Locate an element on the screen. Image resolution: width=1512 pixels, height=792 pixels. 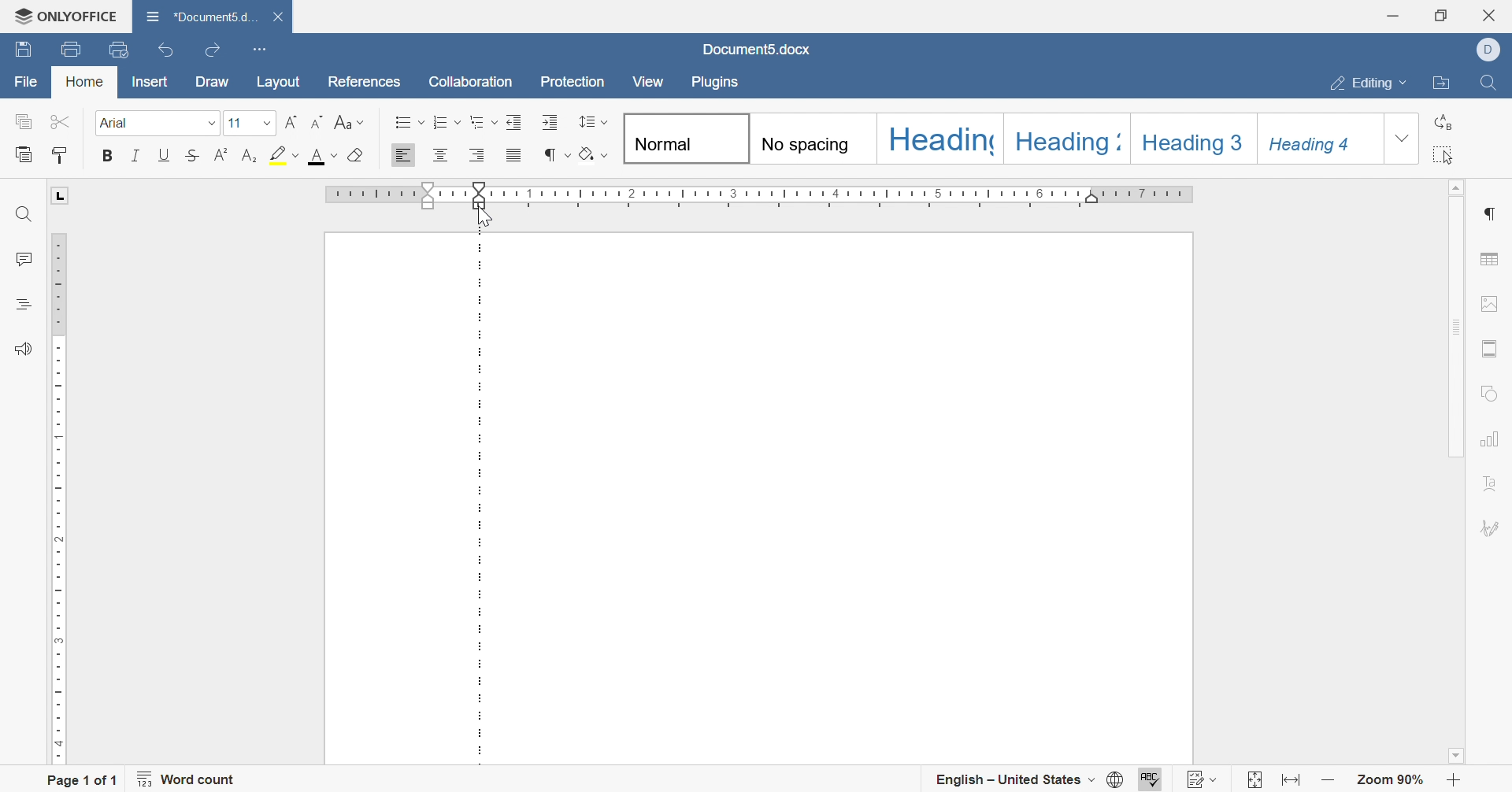
header and footer settings is located at coordinates (1492, 347).